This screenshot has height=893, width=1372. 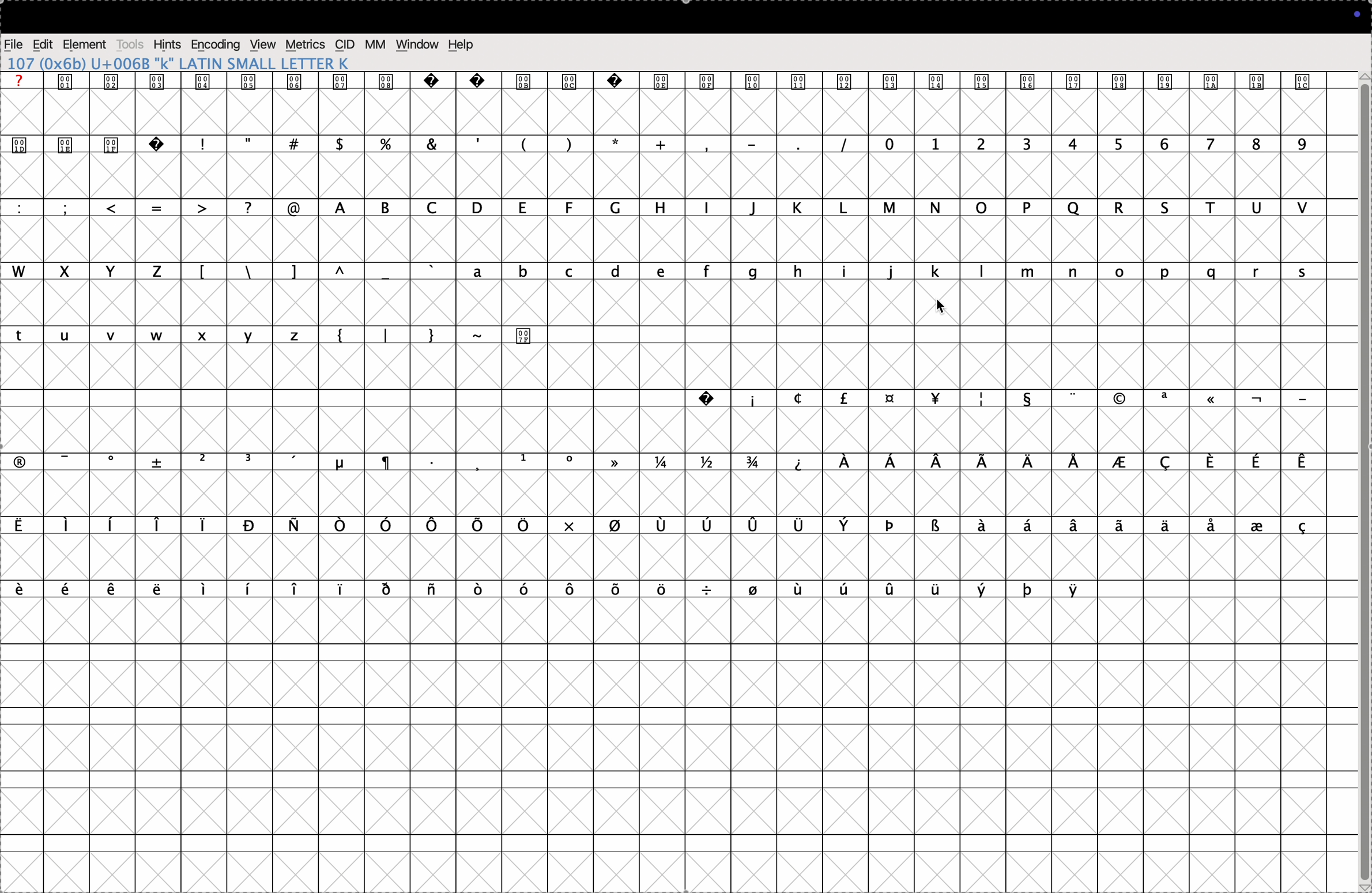 What do you see at coordinates (1314, 269) in the screenshot?
I see `s` at bounding box center [1314, 269].